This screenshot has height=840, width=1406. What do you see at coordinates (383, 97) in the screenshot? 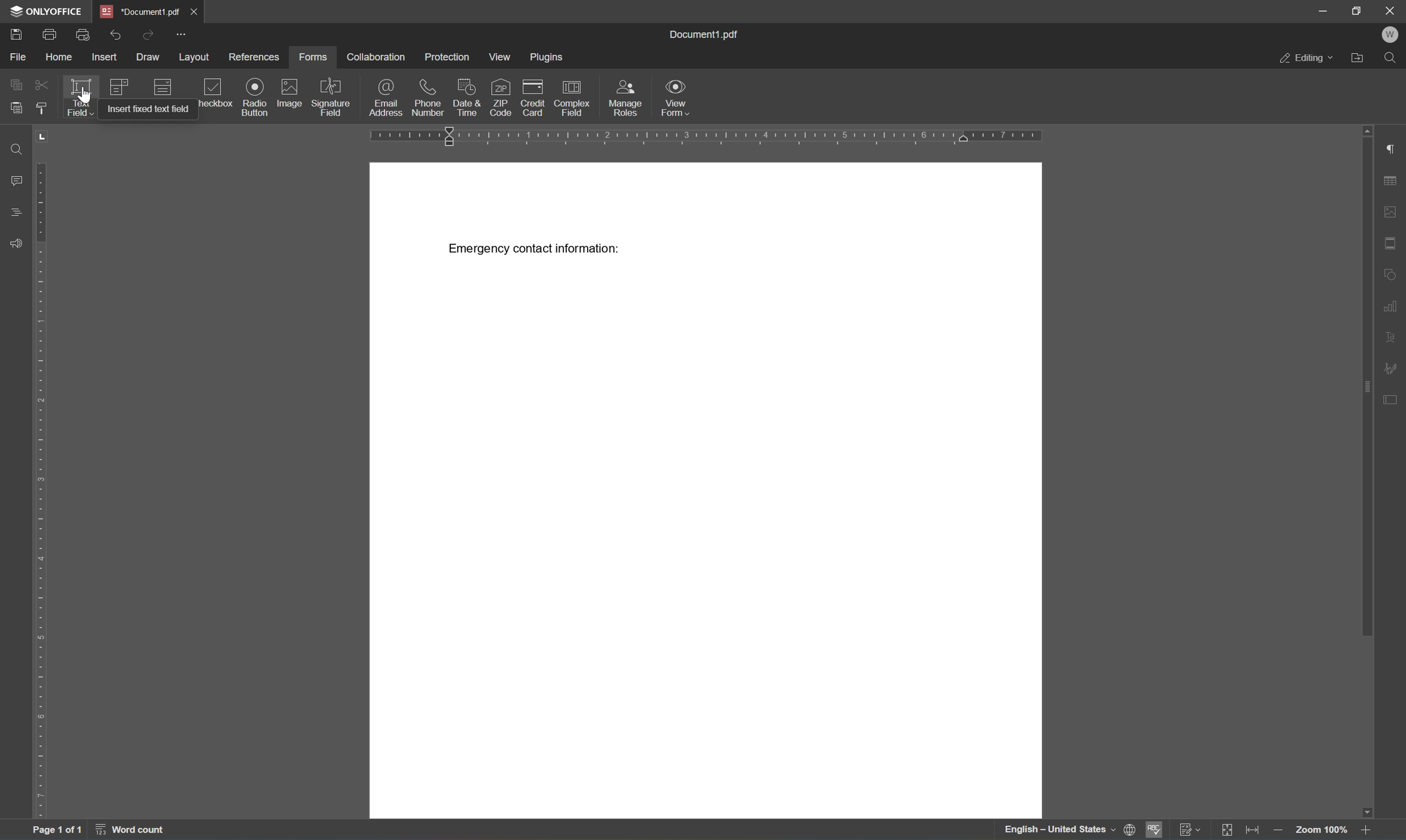
I see `email address` at bounding box center [383, 97].